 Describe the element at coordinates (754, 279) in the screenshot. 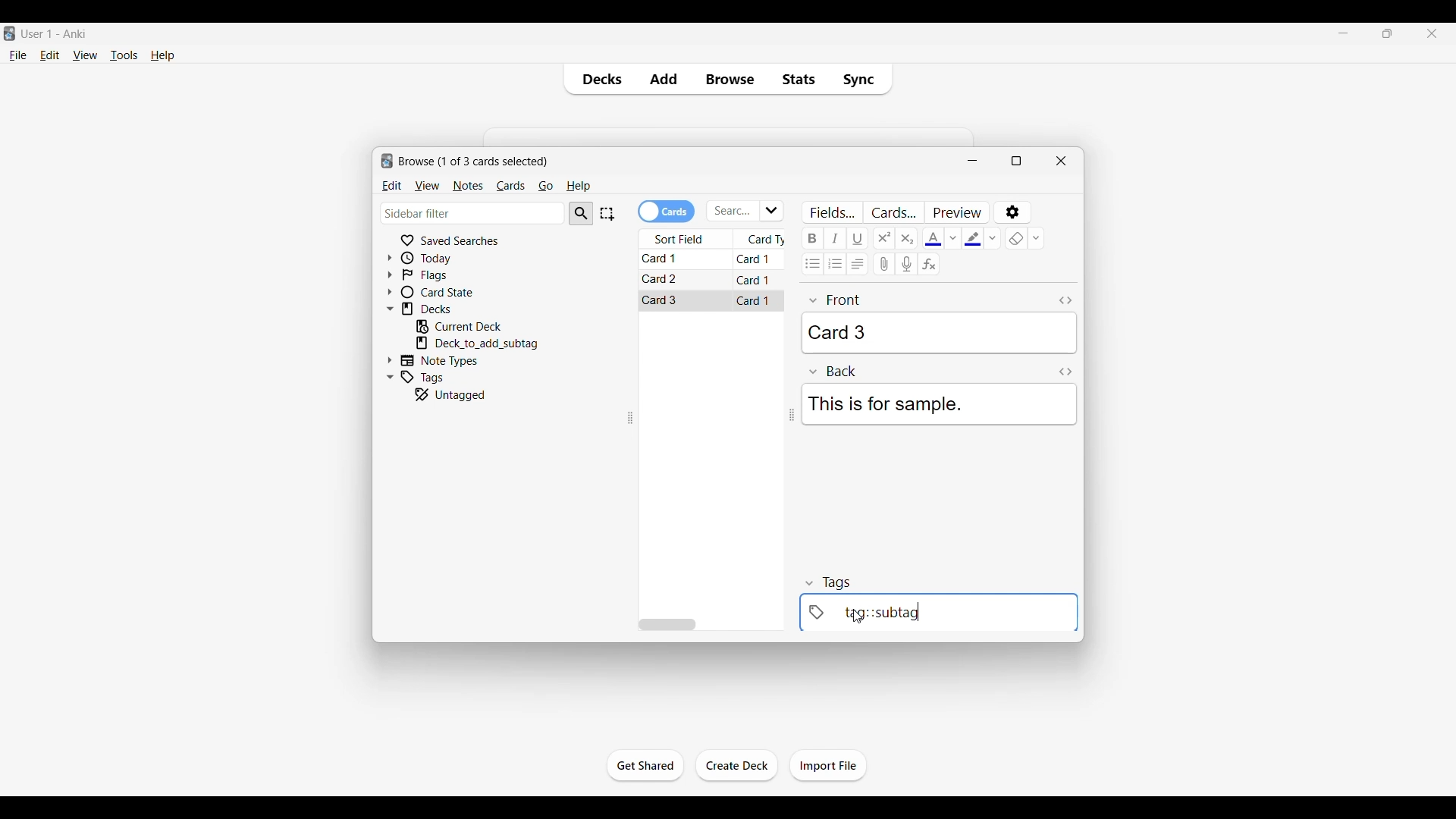

I see `Card 1` at that location.